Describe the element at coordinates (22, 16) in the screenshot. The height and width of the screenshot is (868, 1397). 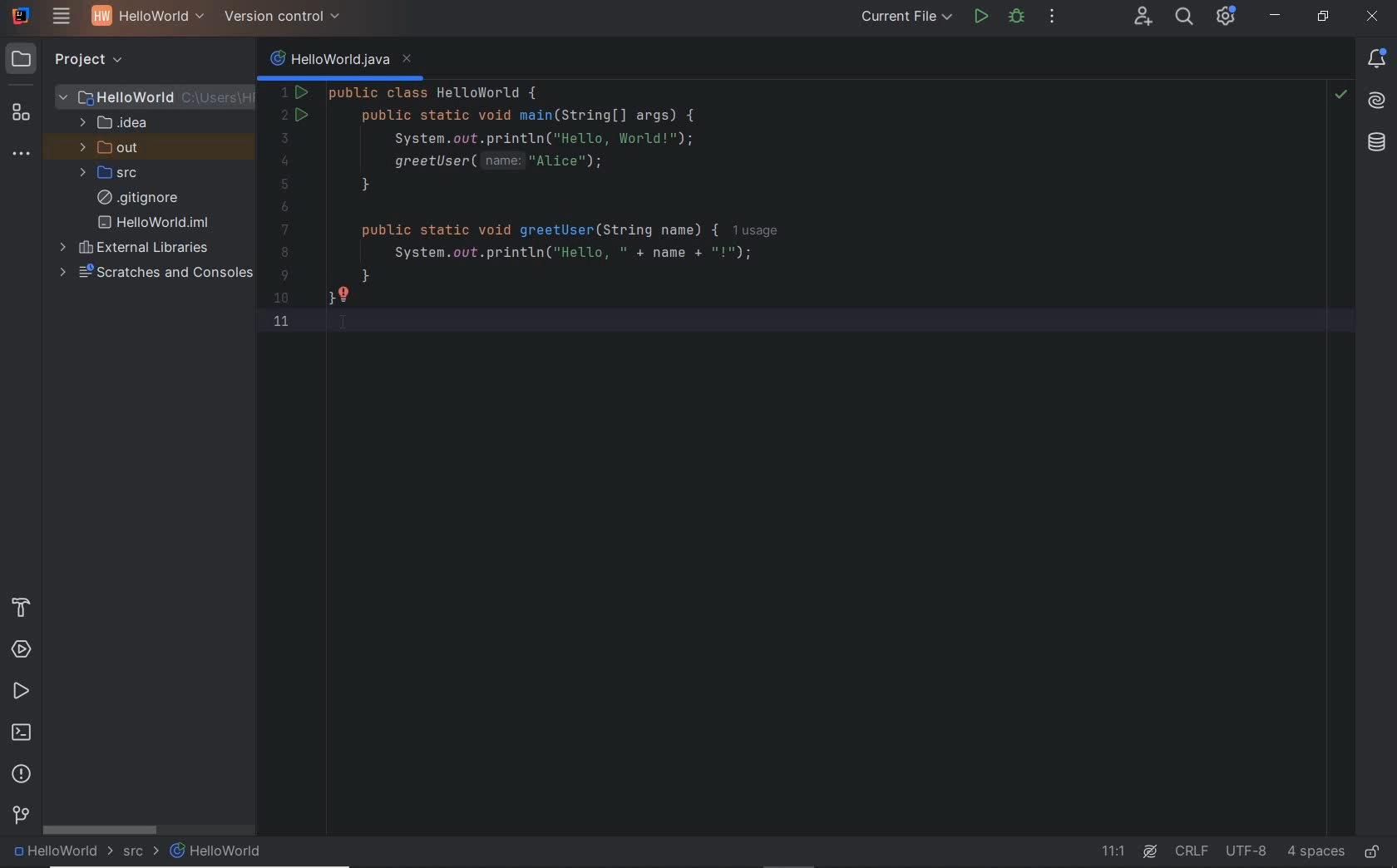
I see `Application logo` at that location.